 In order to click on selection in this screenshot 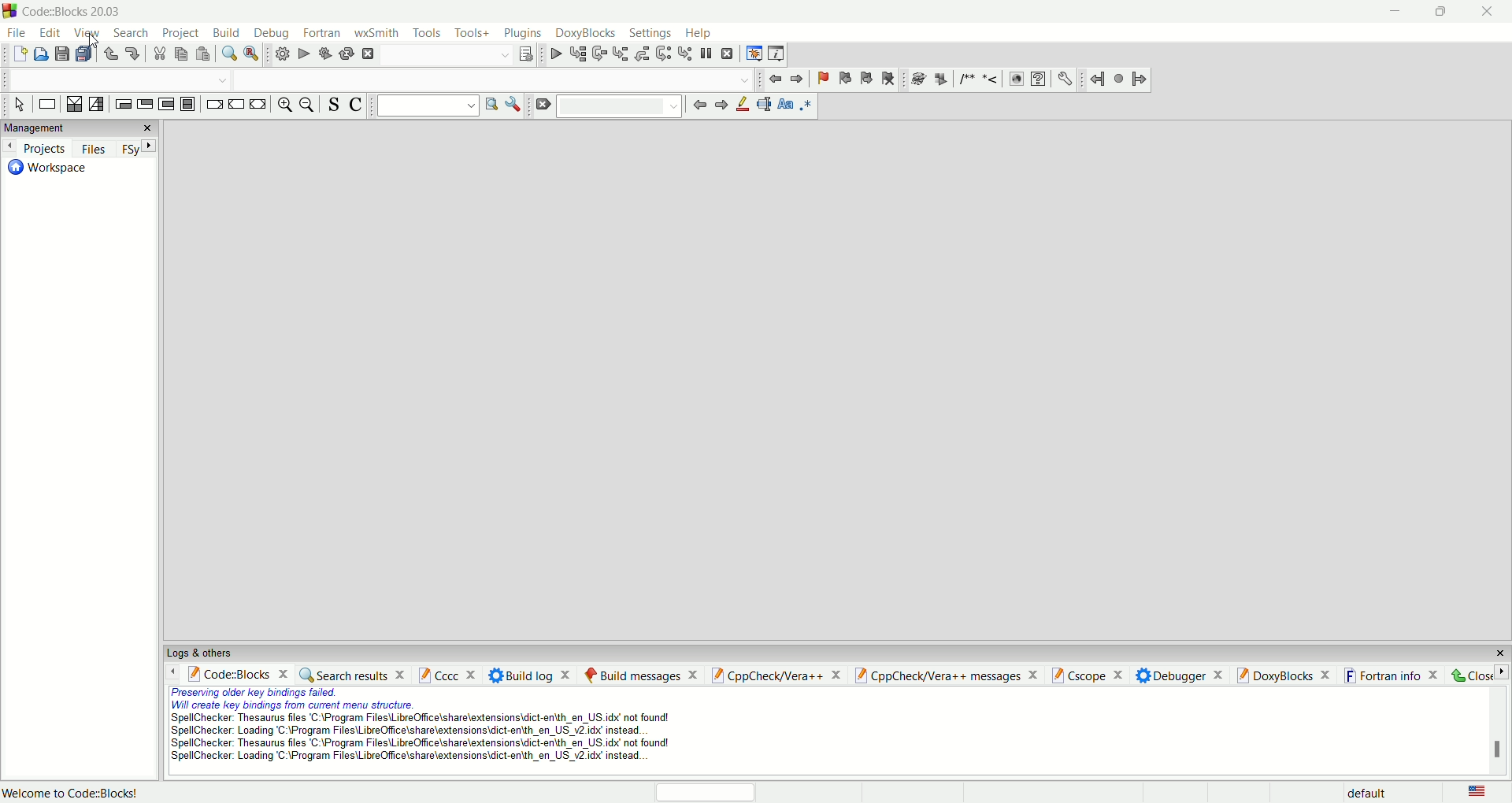, I will do `click(97, 105)`.